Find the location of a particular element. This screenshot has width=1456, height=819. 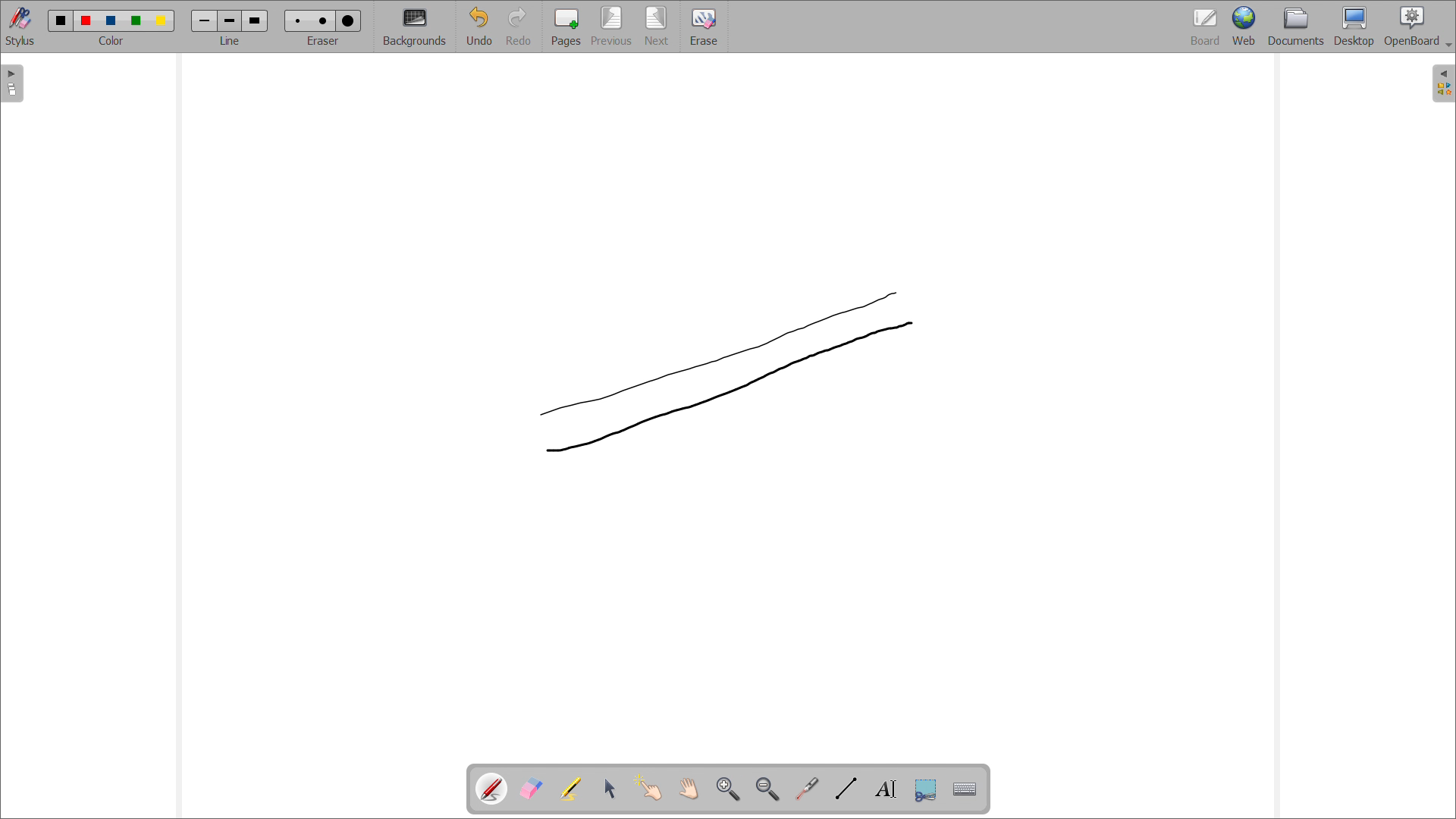

desktop is located at coordinates (1354, 27).